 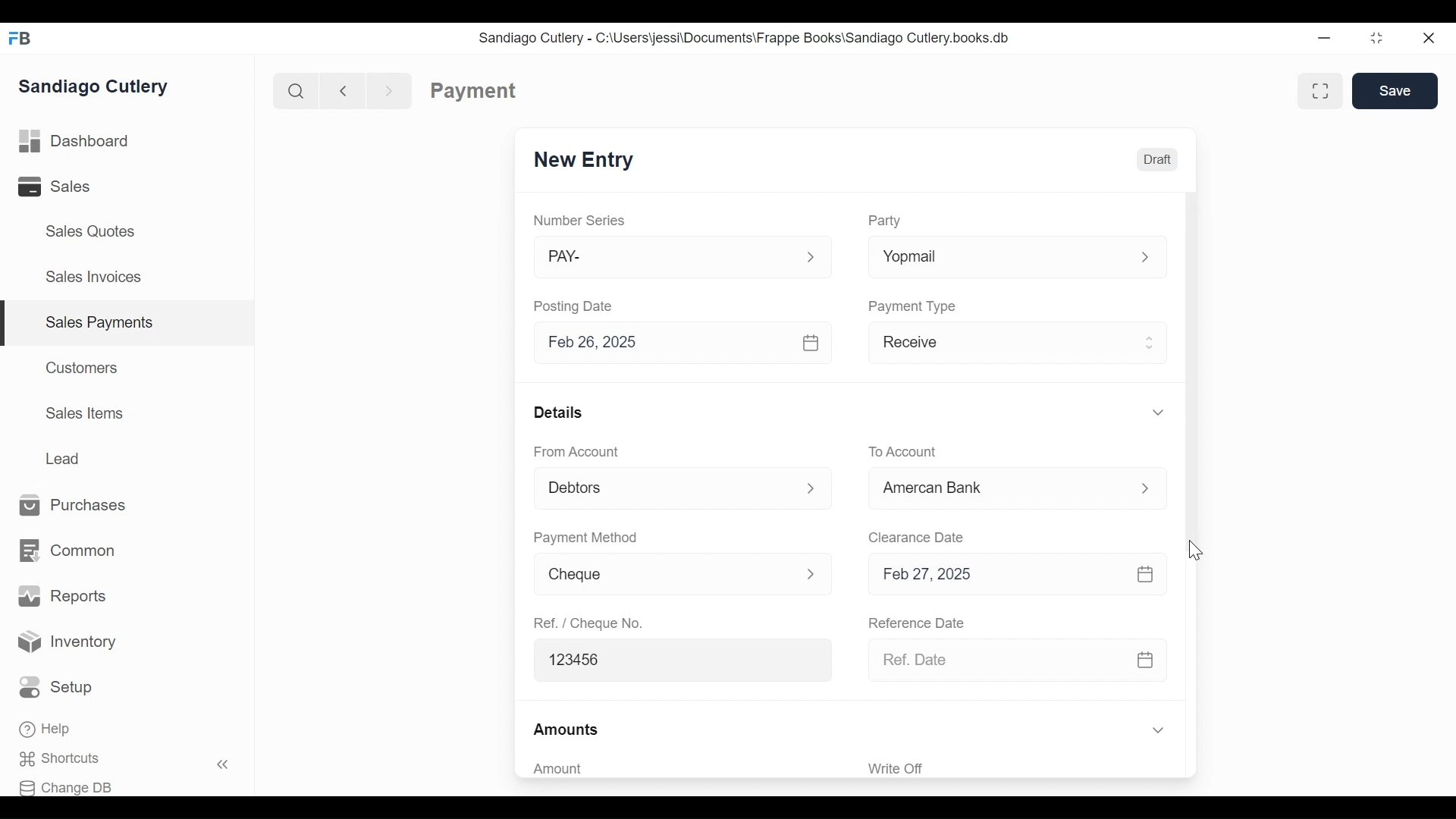 What do you see at coordinates (913, 306) in the screenshot?
I see `Payment Type` at bounding box center [913, 306].